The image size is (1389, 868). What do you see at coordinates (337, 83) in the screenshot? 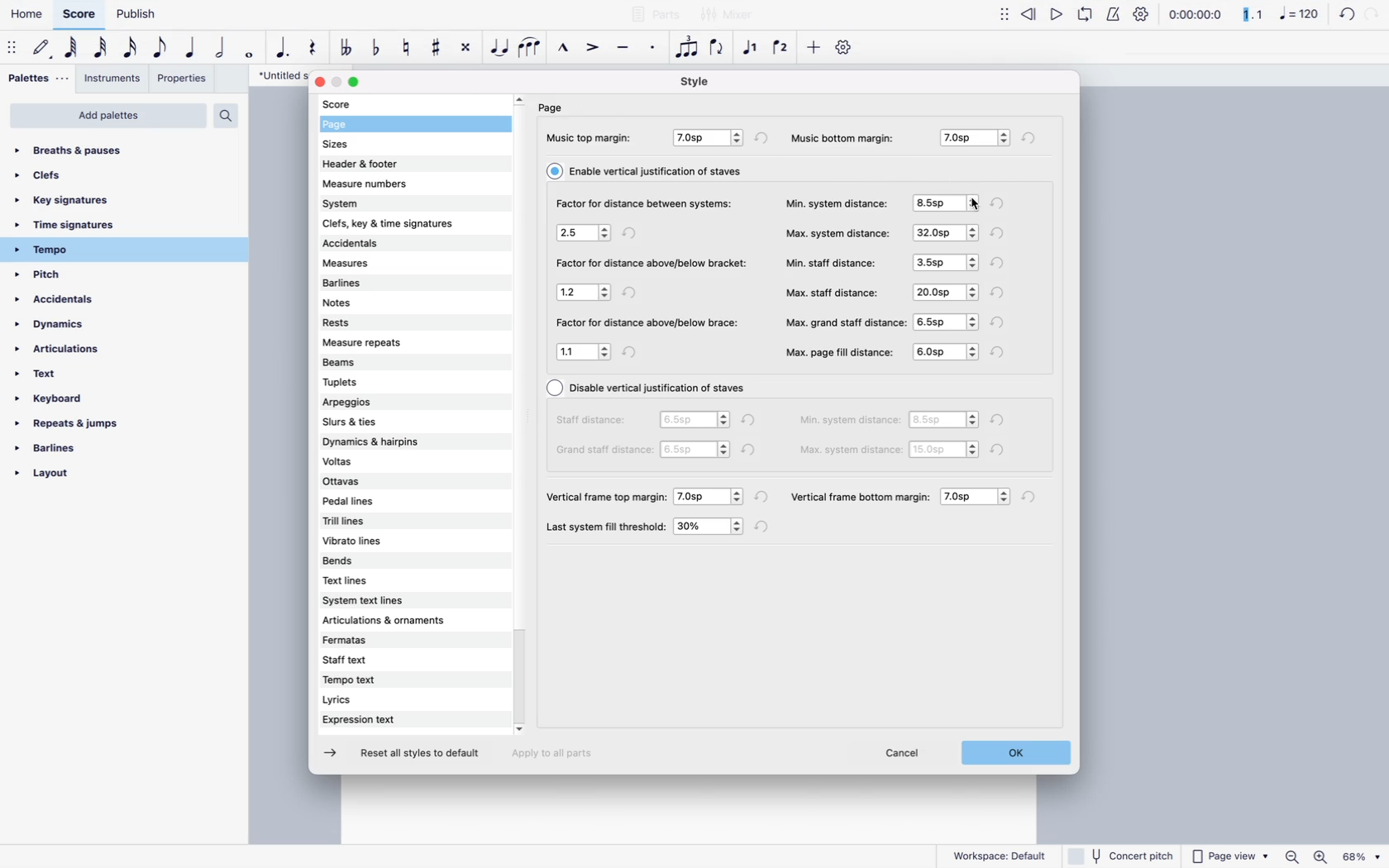
I see `minimize` at bounding box center [337, 83].